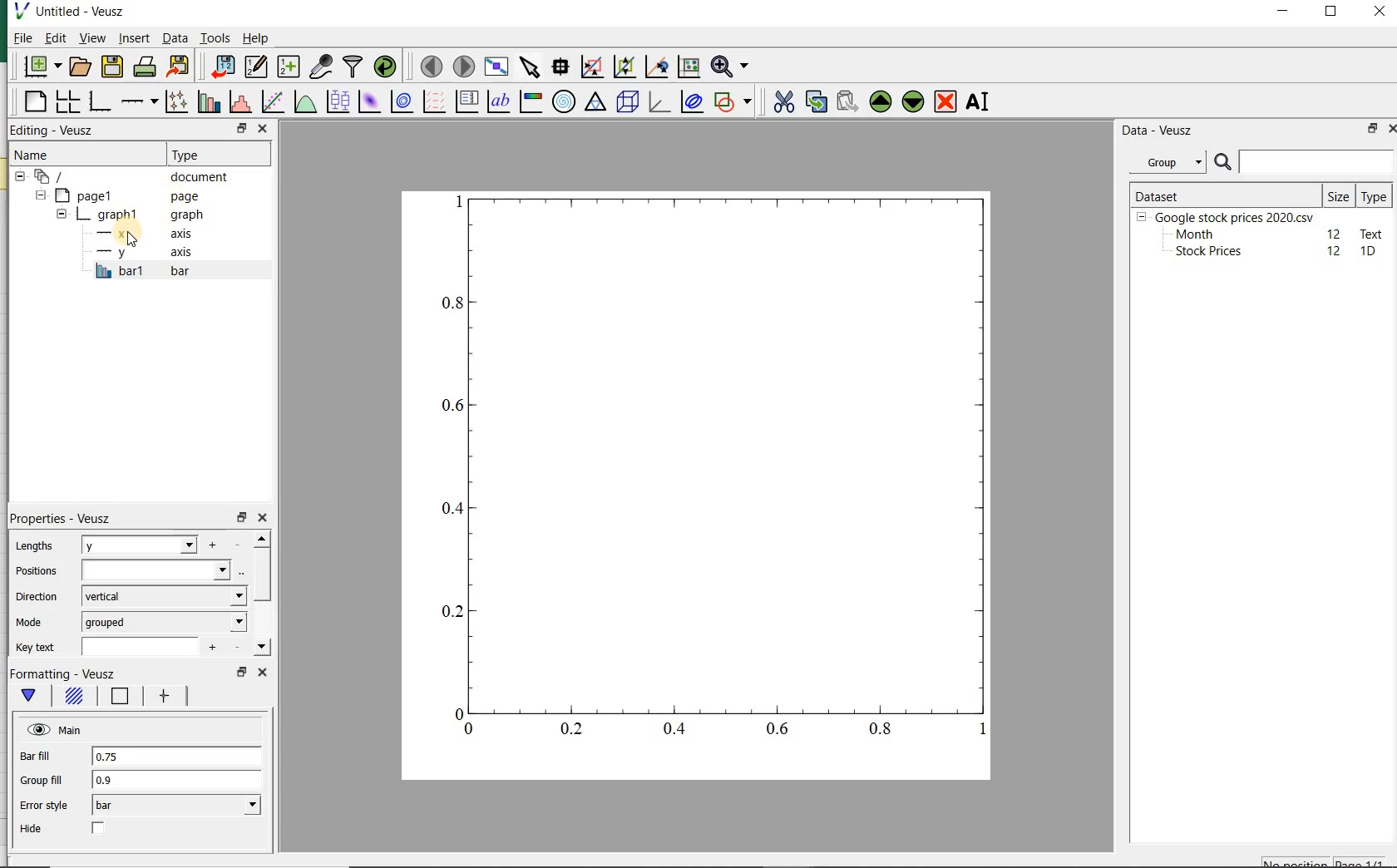 The image size is (1397, 868). What do you see at coordinates (215, 38) in the screenshot?
I see `Tools` at bounding box center [215, 38].